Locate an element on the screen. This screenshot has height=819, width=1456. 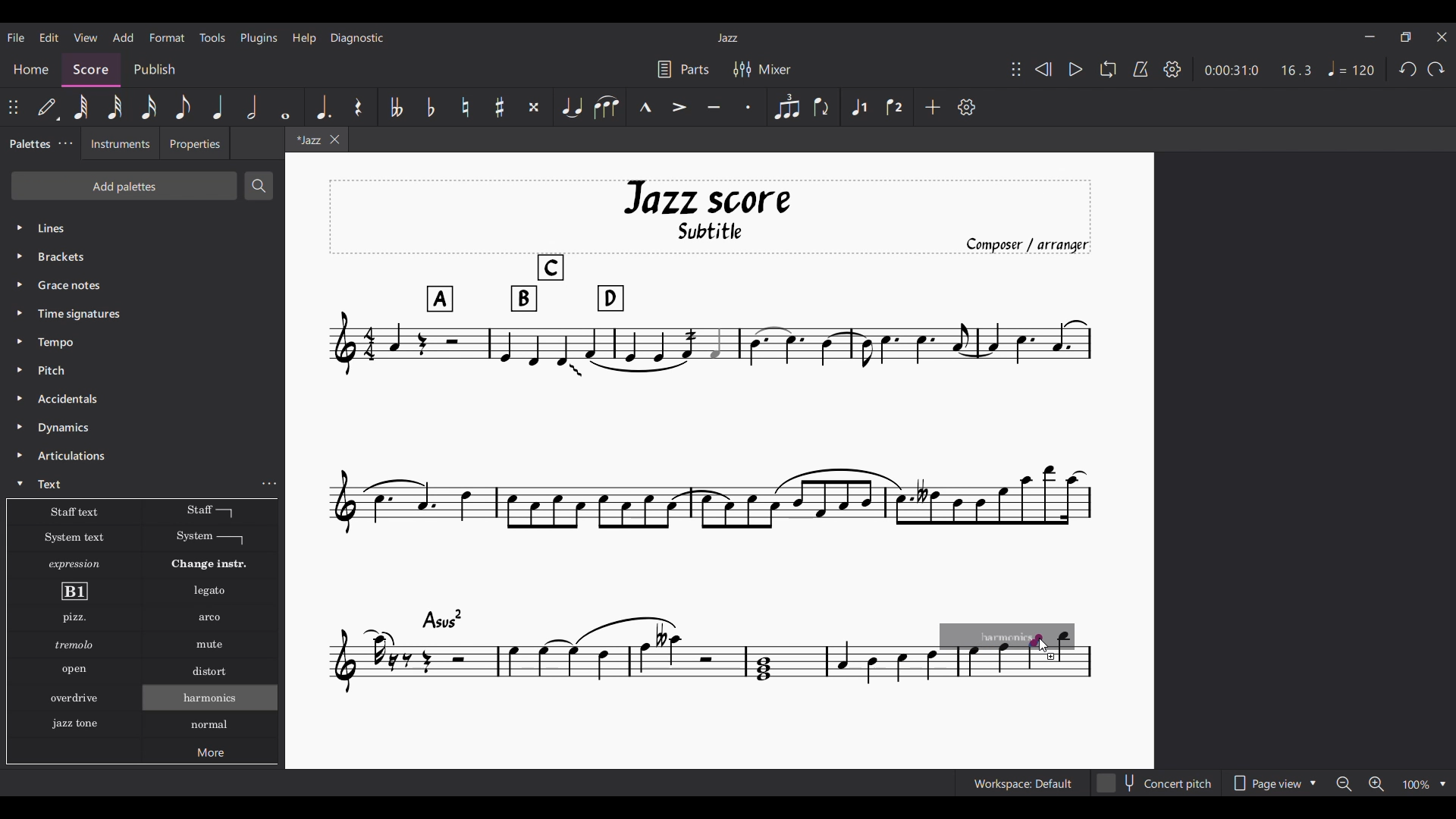
Bracket is located at coordinates (72, 258).